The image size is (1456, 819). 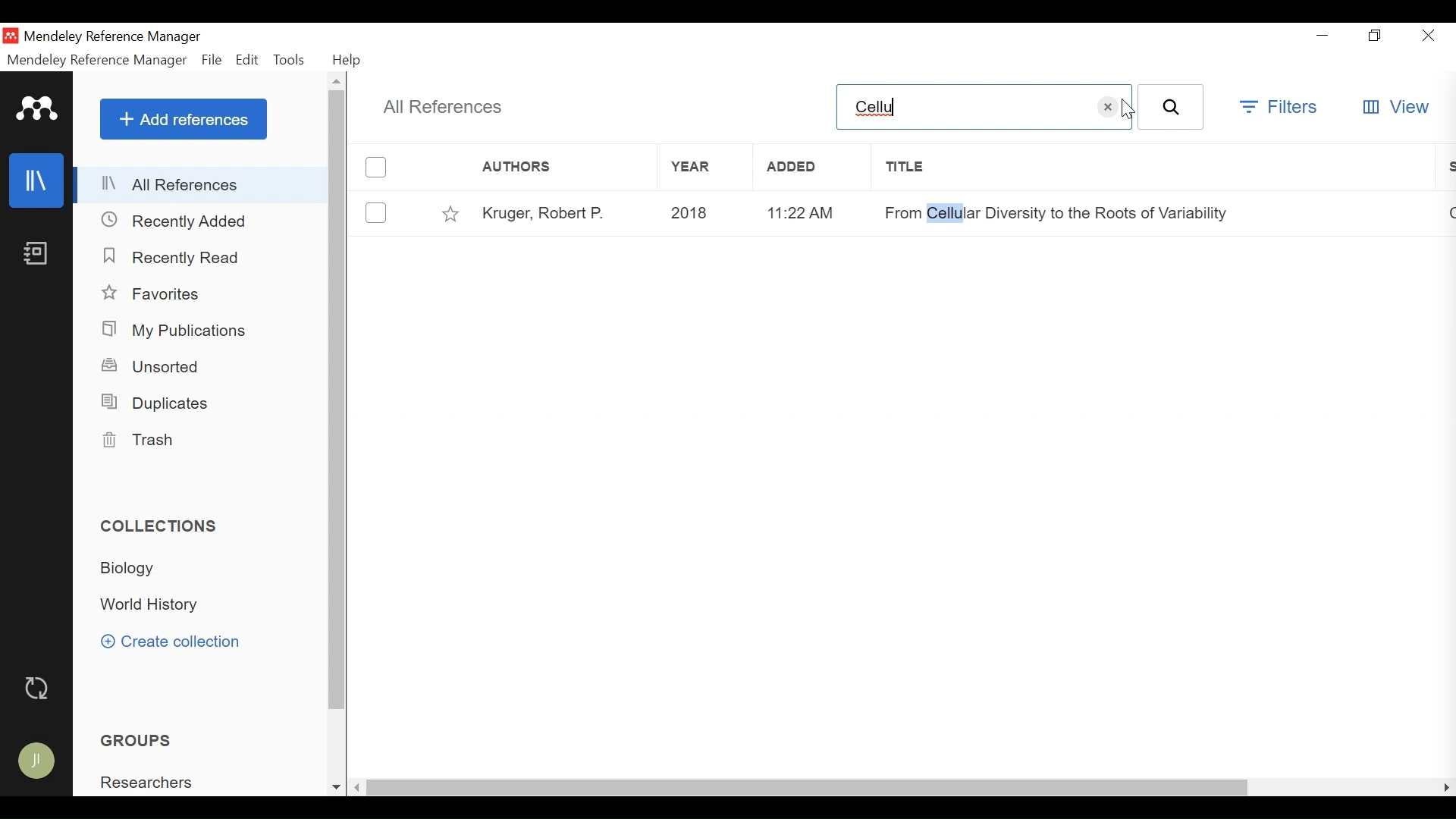 I want to click on Search Bar, so click(x=962, y=106).